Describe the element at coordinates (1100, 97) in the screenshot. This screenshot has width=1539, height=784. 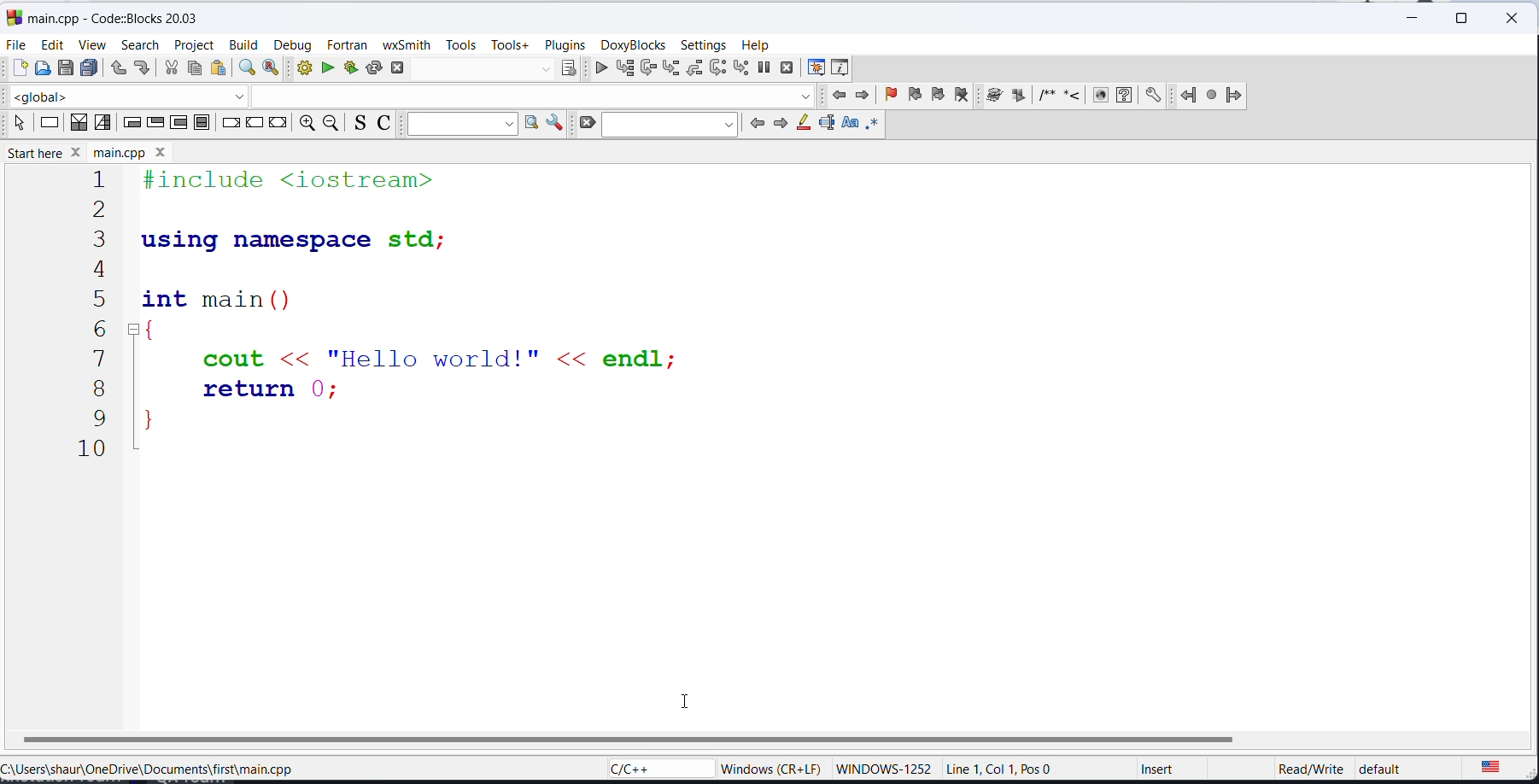
I see `icon` at that location.